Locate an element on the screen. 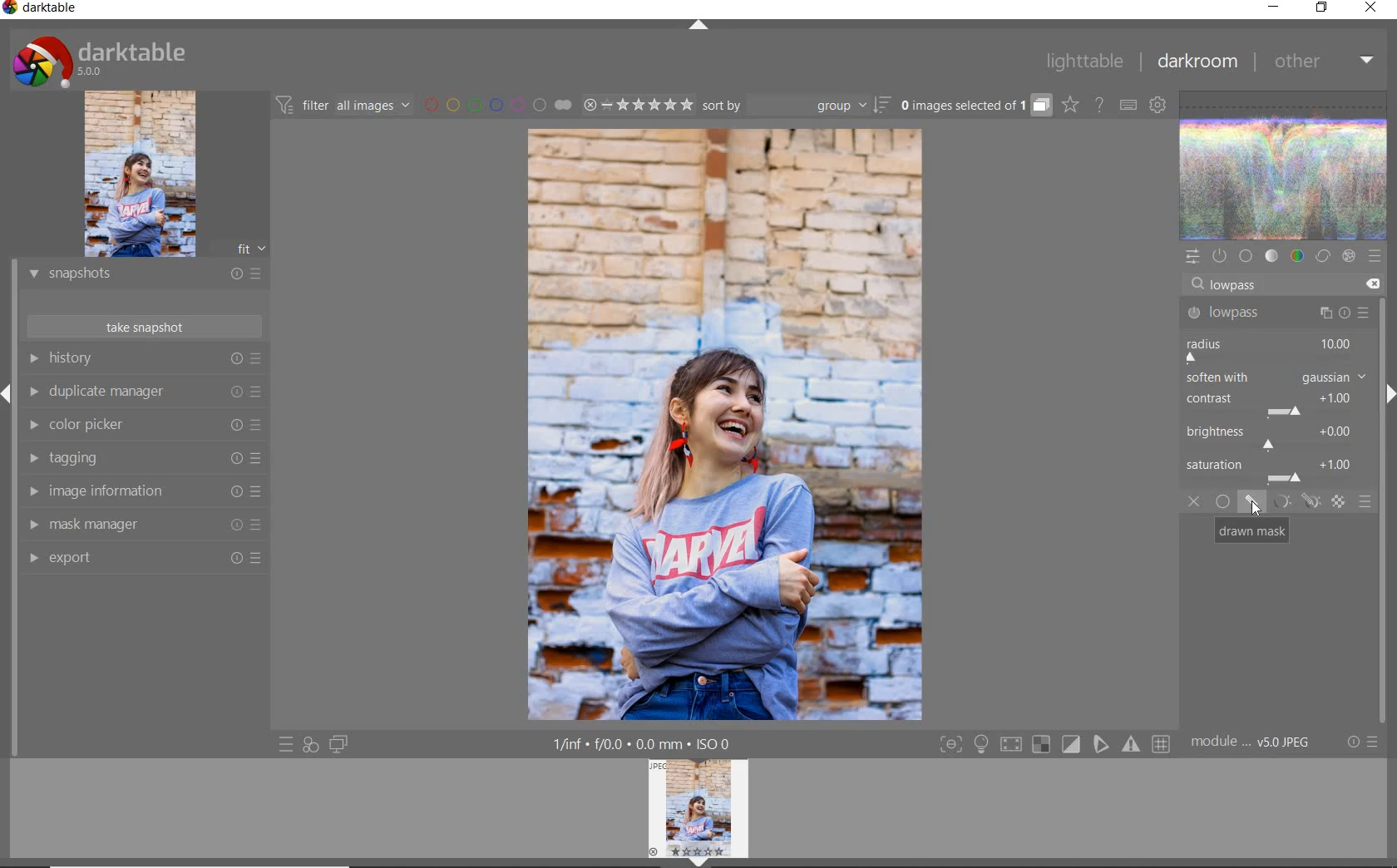 The width and height of the screenshot is (1397, 868). export is located at coordinates (146, 558).